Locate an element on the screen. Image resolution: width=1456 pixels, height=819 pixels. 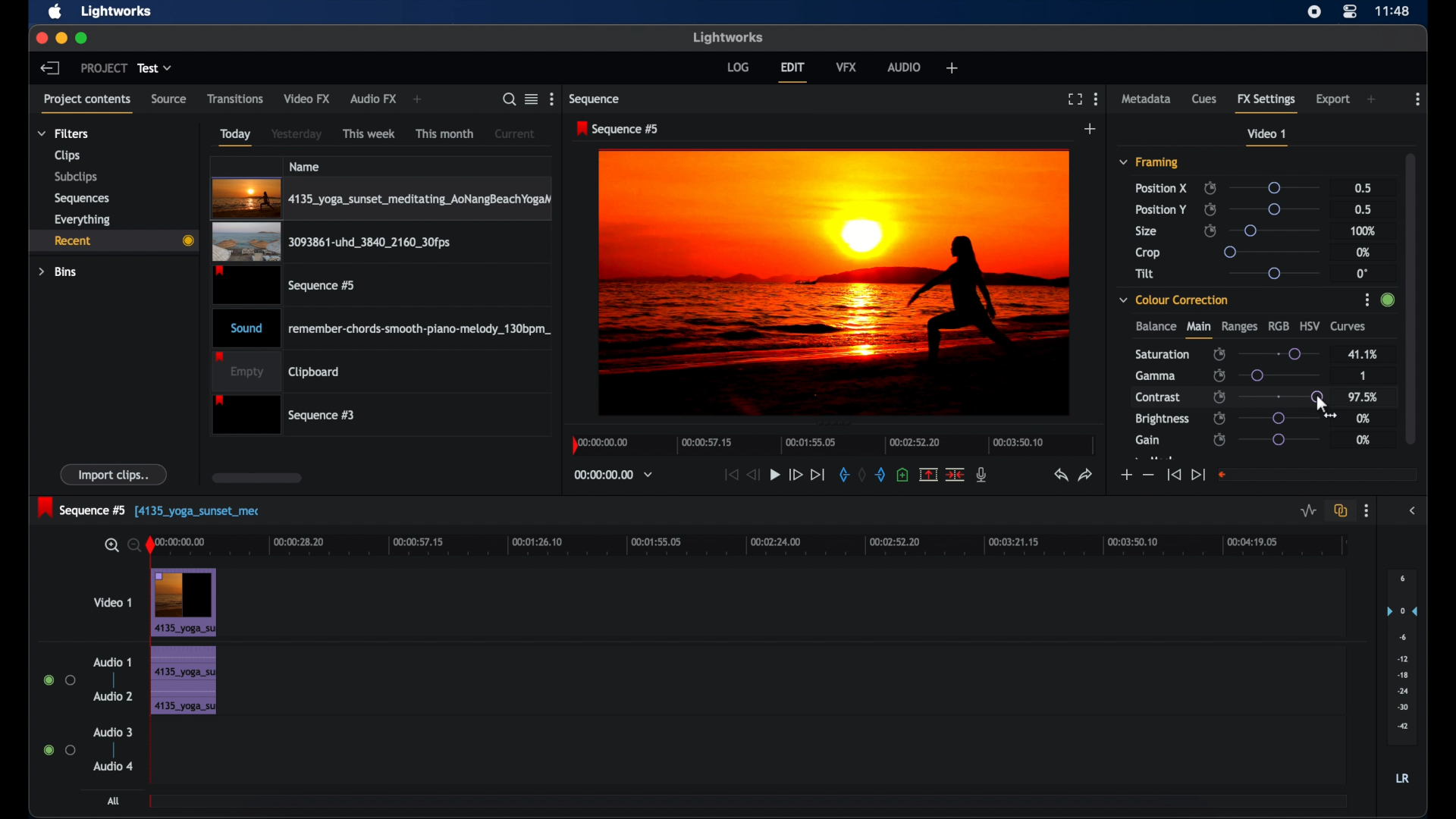
slider is located at coordinates (1279, 440).